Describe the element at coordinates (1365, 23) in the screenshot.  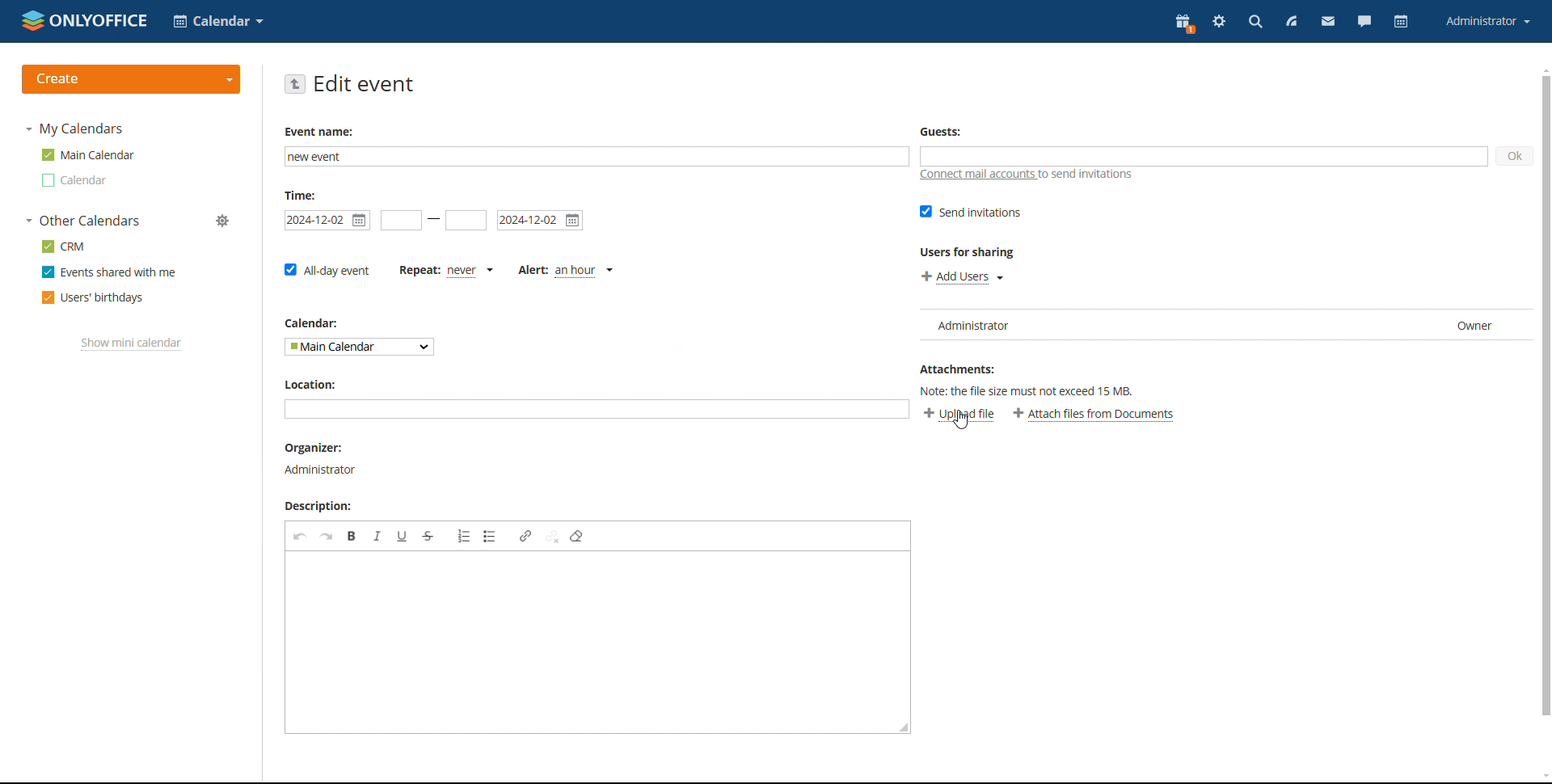
I see `chat` at that location.